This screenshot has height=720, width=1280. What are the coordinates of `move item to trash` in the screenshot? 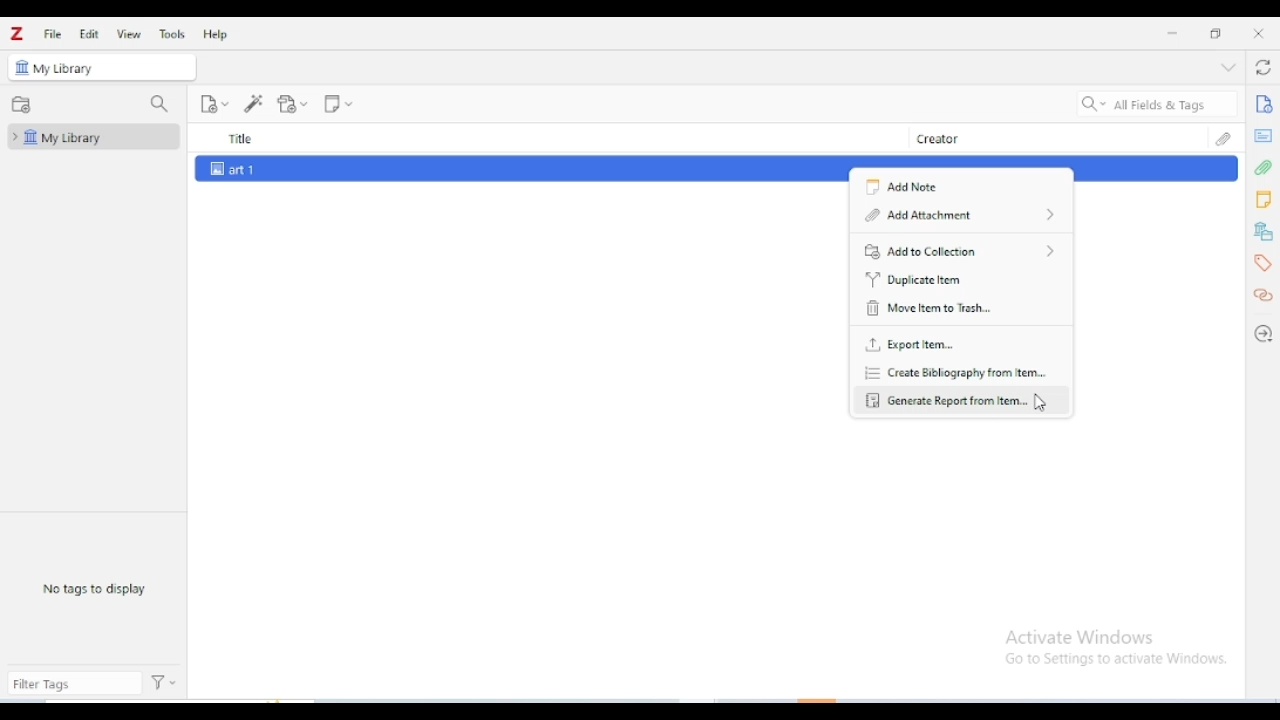 It's located at (926, 308).